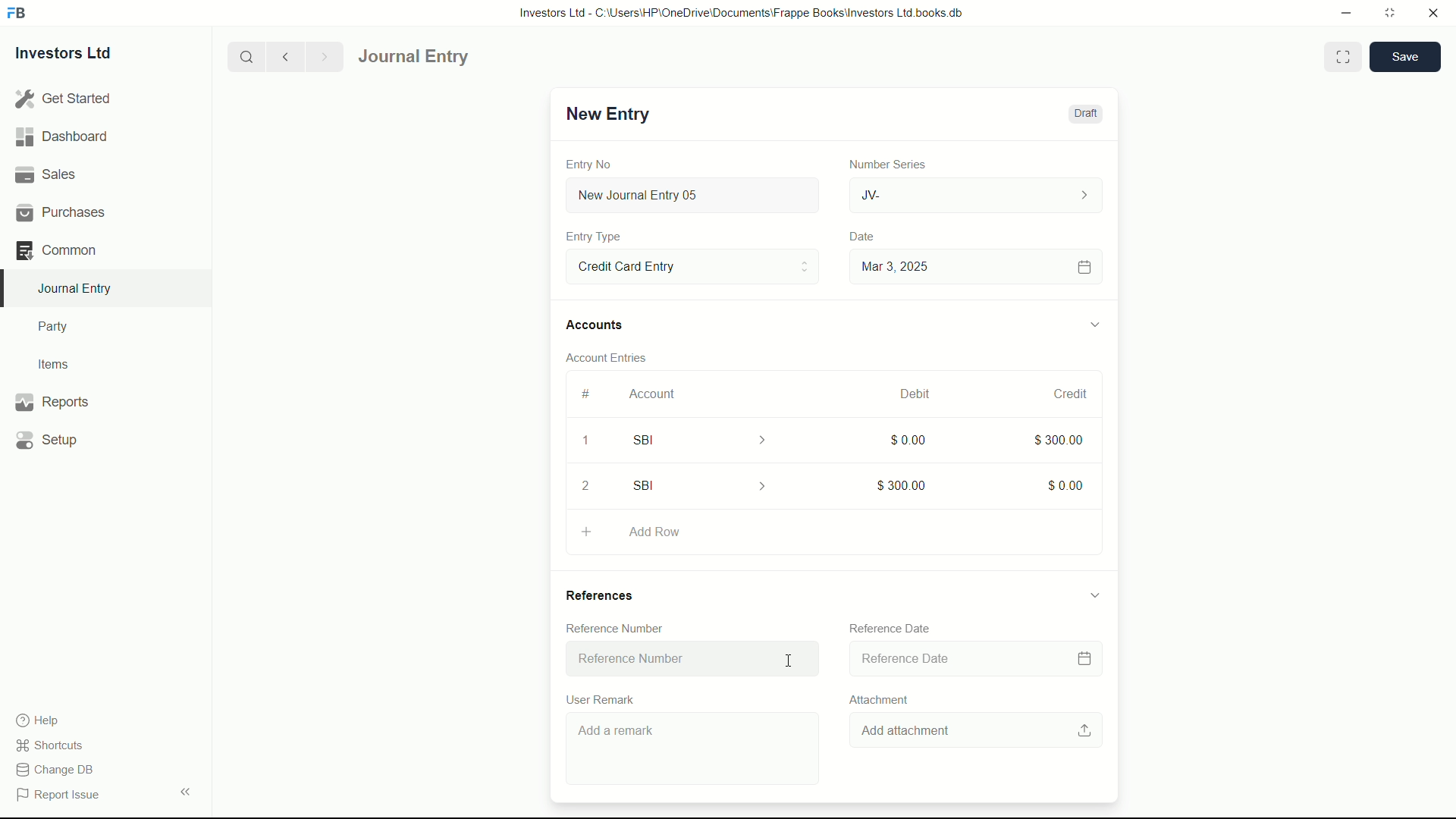 This screenshot has height=819, width=1456. What do you see at coordinates (653, 394) in the screenshot?
I see `Account` at bounding box center [653, 394].